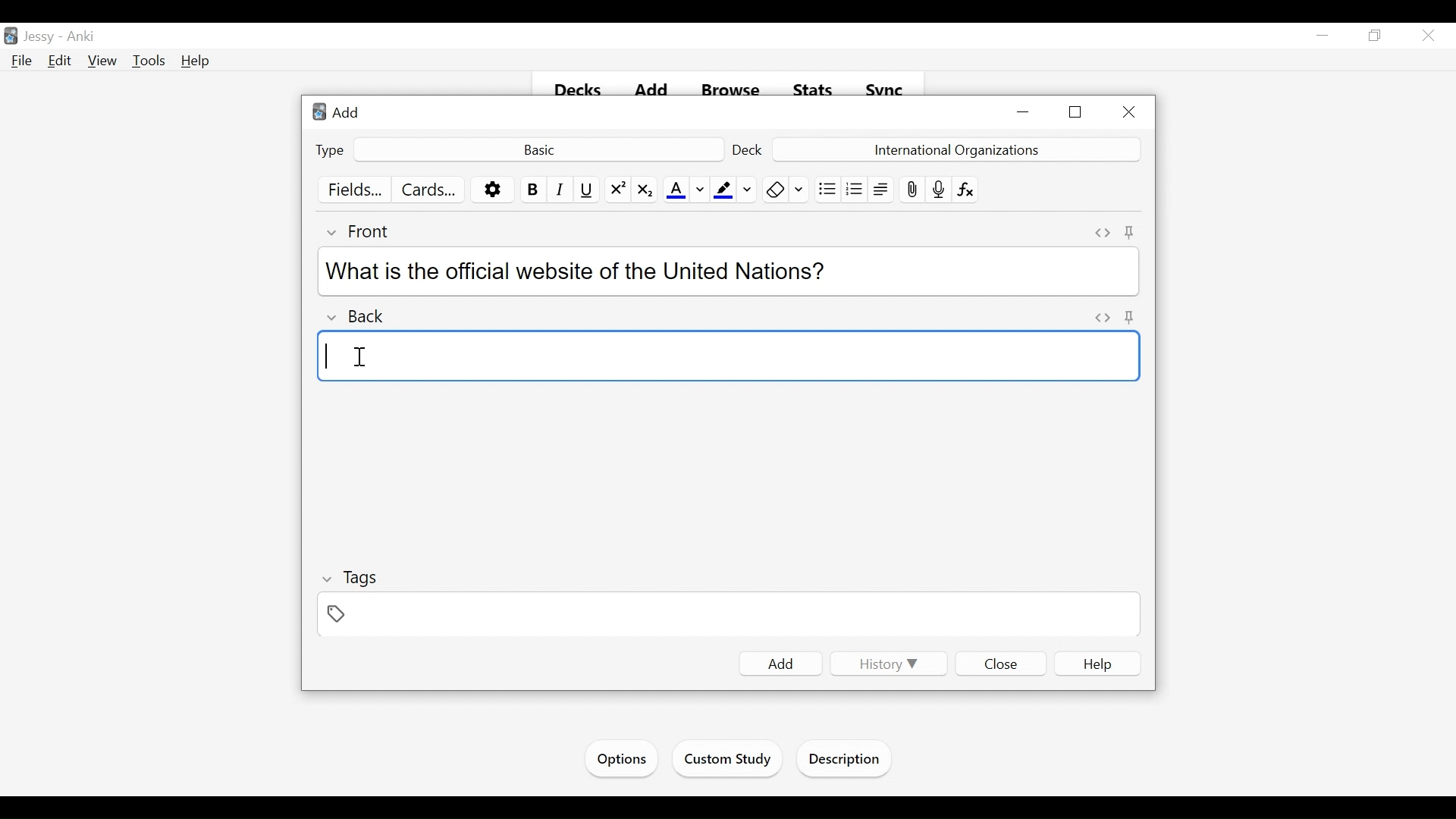 This screenshot has height=819, width=1456. What do you see at coordinates (577, 90) in the screenshot?
I see `Decks` at bounding box center [577, 90].